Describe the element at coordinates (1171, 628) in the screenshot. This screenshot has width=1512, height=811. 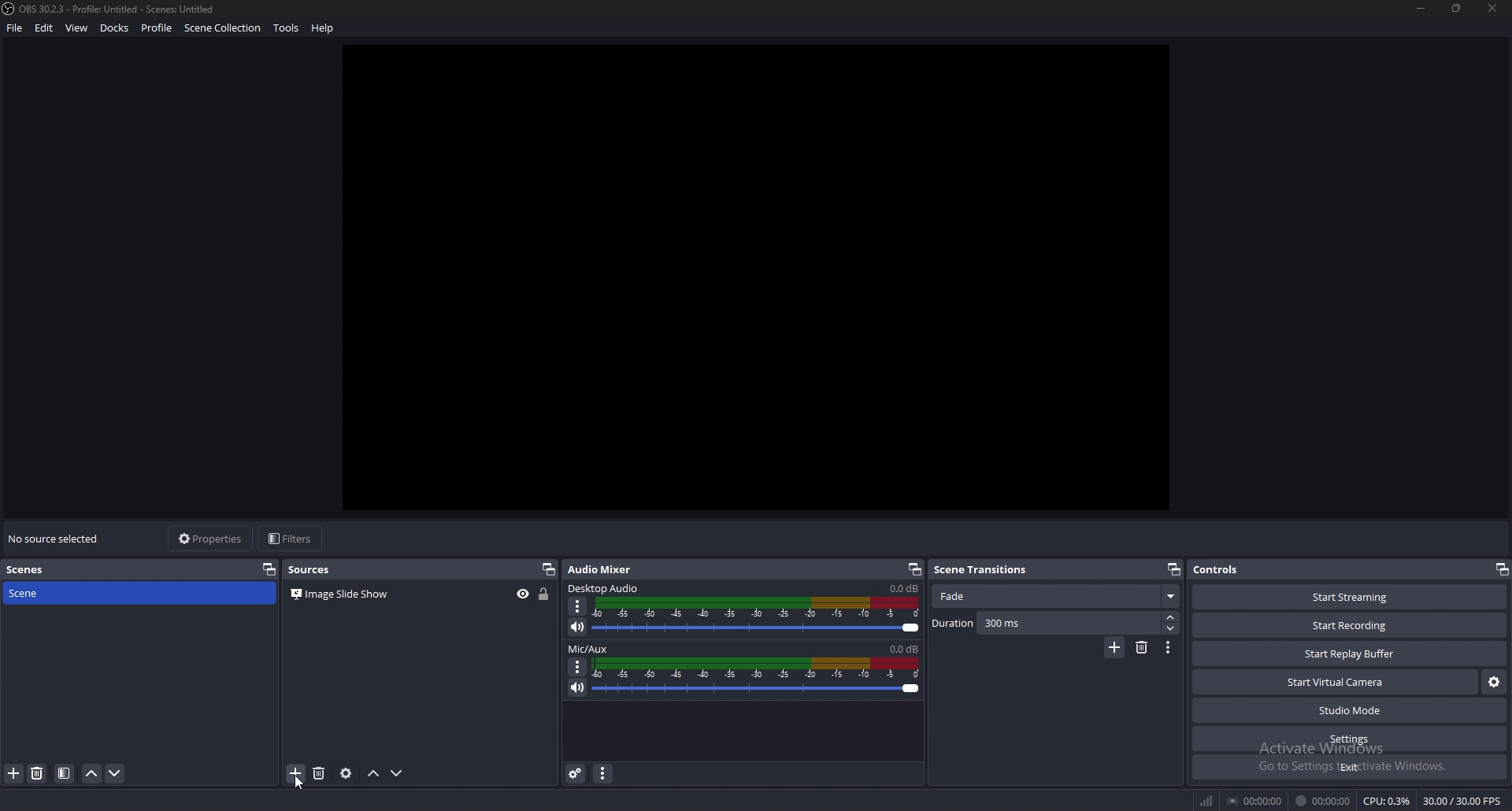
I see `decrease duration` at that location.